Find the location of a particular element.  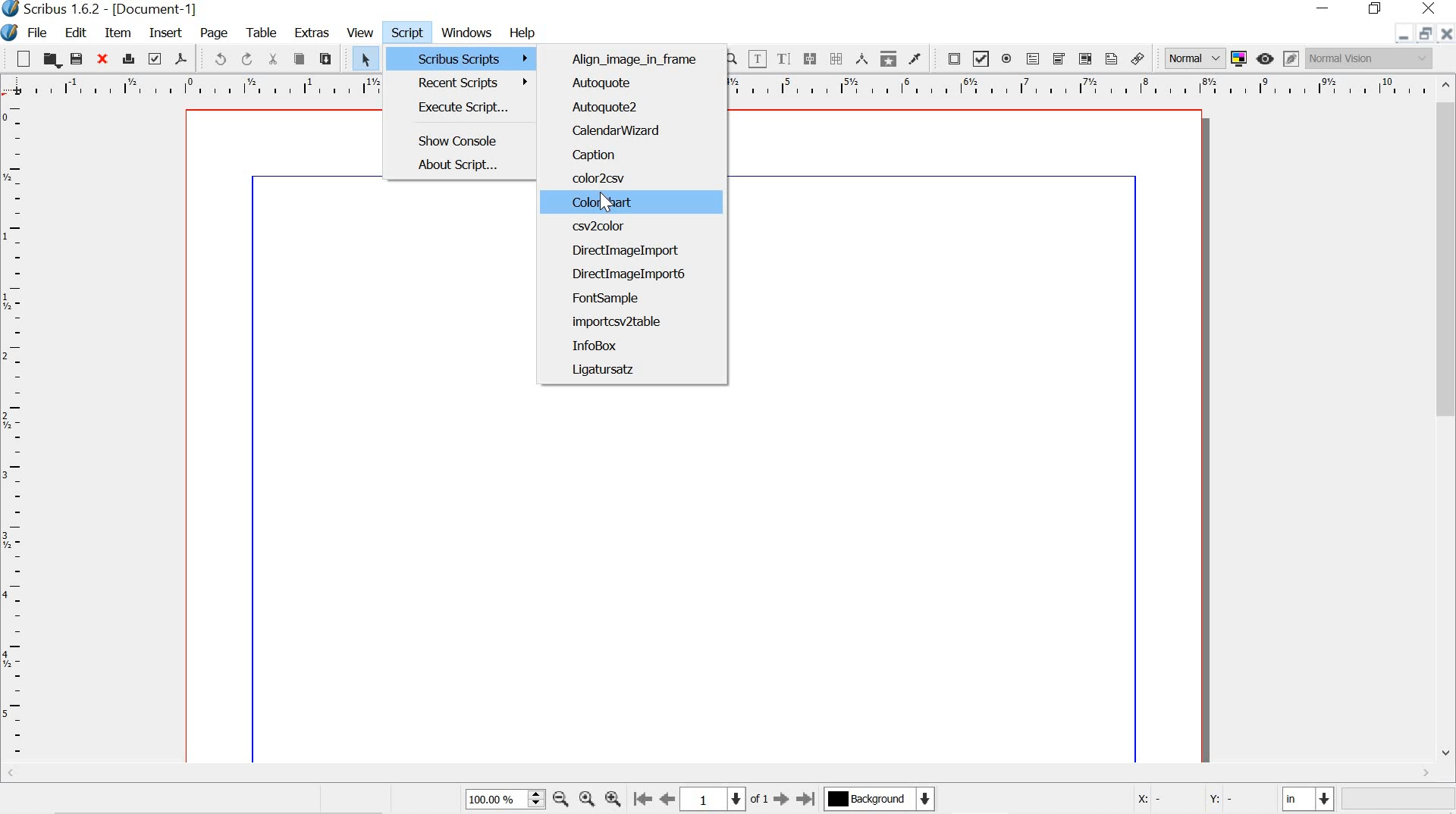

ruler is located at coordinates (192, 86).